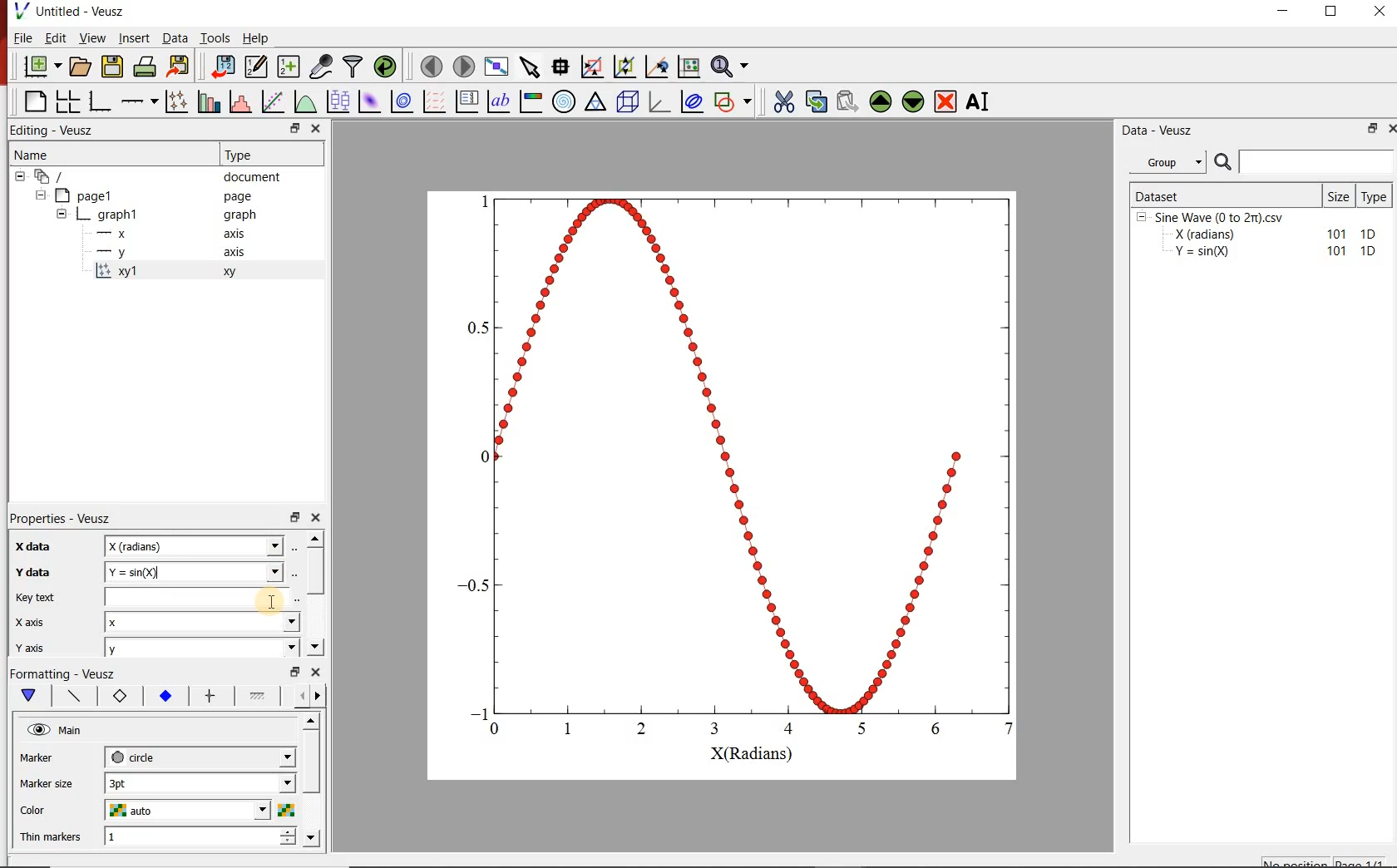  Describe the element at coordinates (62, 518) in the screenshot. I see `Properties - Veusz` at that location.